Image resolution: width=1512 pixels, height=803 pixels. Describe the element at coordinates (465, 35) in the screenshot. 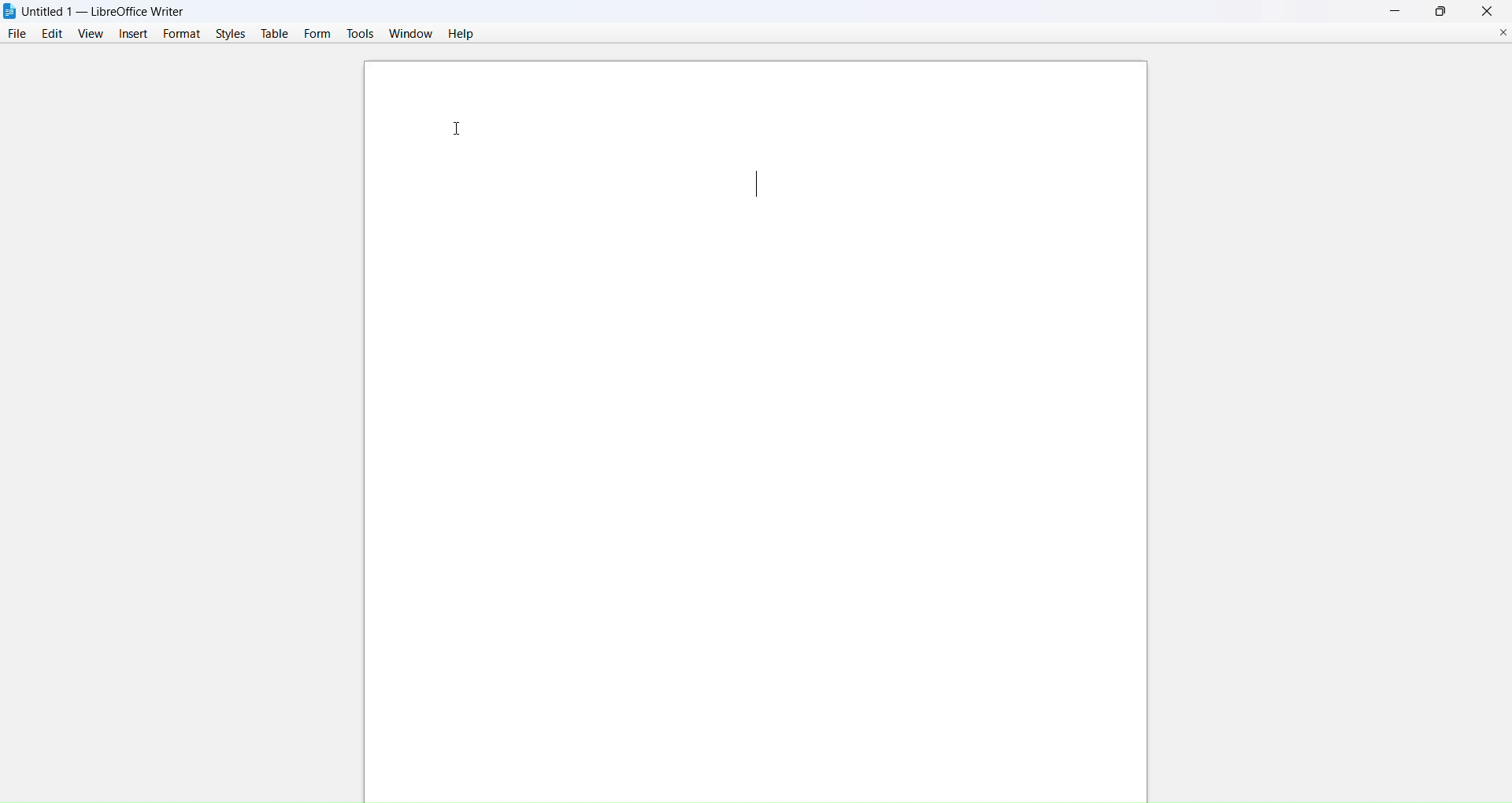

I see `help` at that location.